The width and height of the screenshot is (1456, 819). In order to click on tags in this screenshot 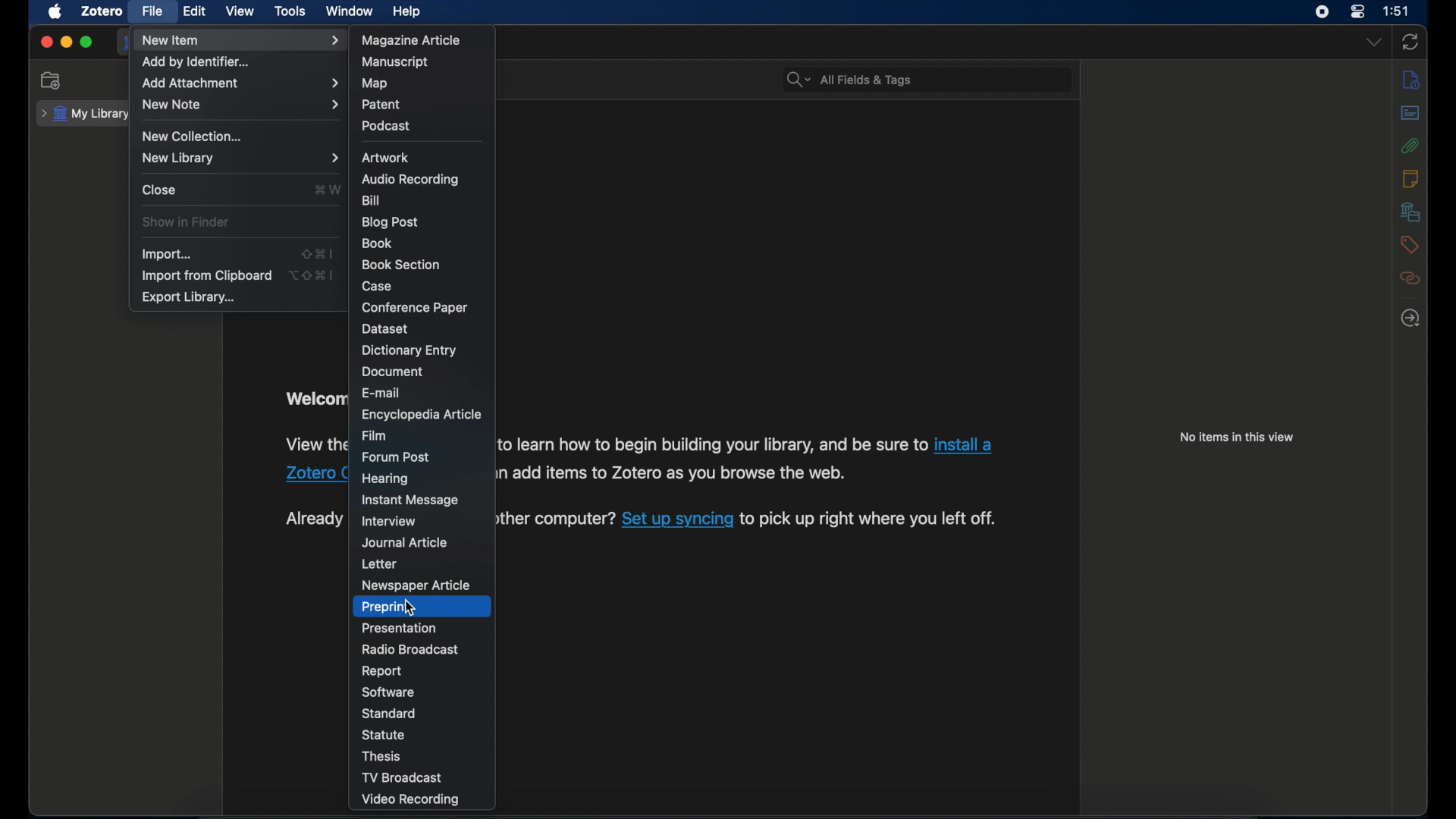, I will do `click(1407, 245)`.